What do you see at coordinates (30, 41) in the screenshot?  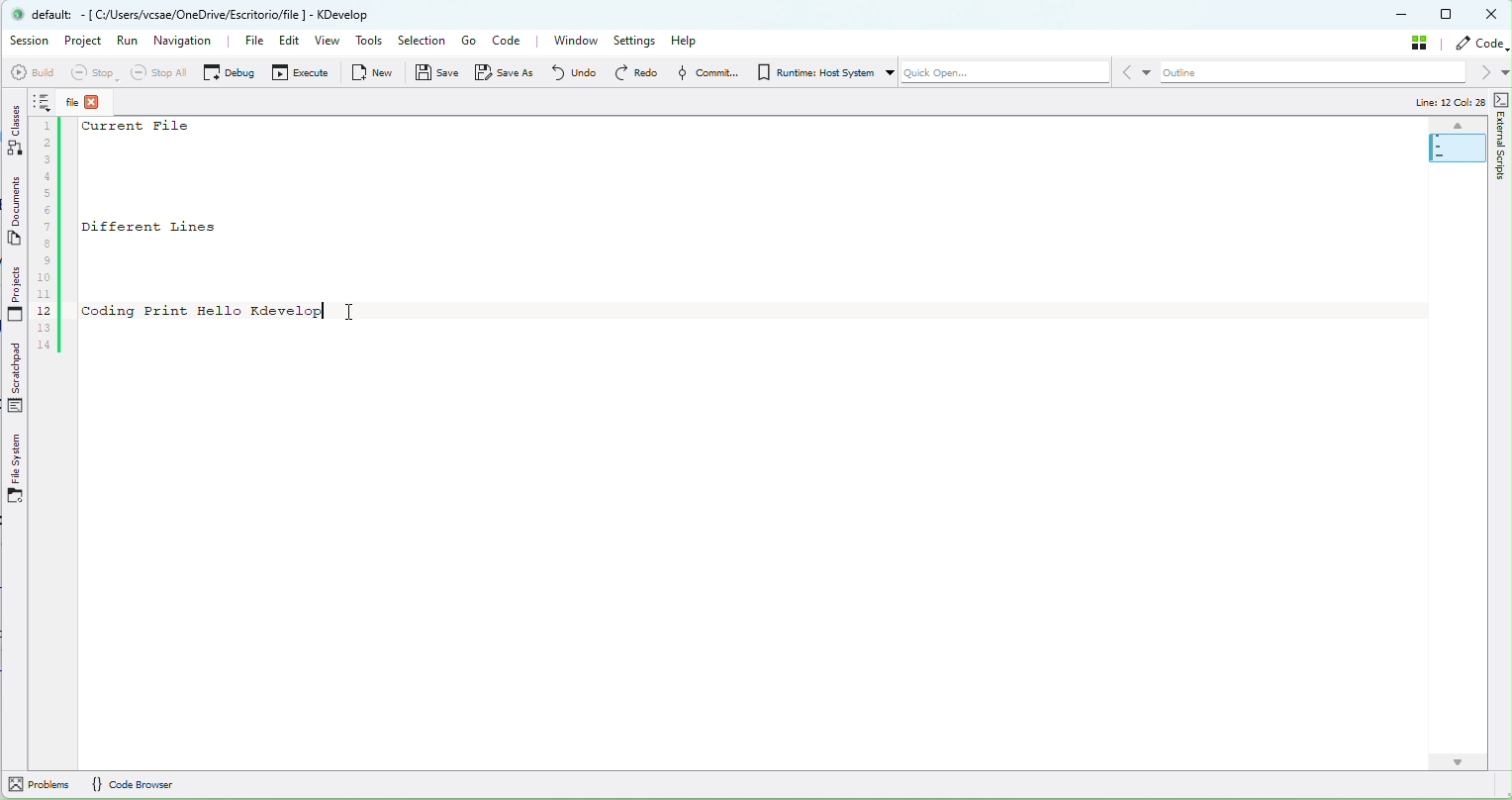 I see `Session` at bounding box center [30, 41].